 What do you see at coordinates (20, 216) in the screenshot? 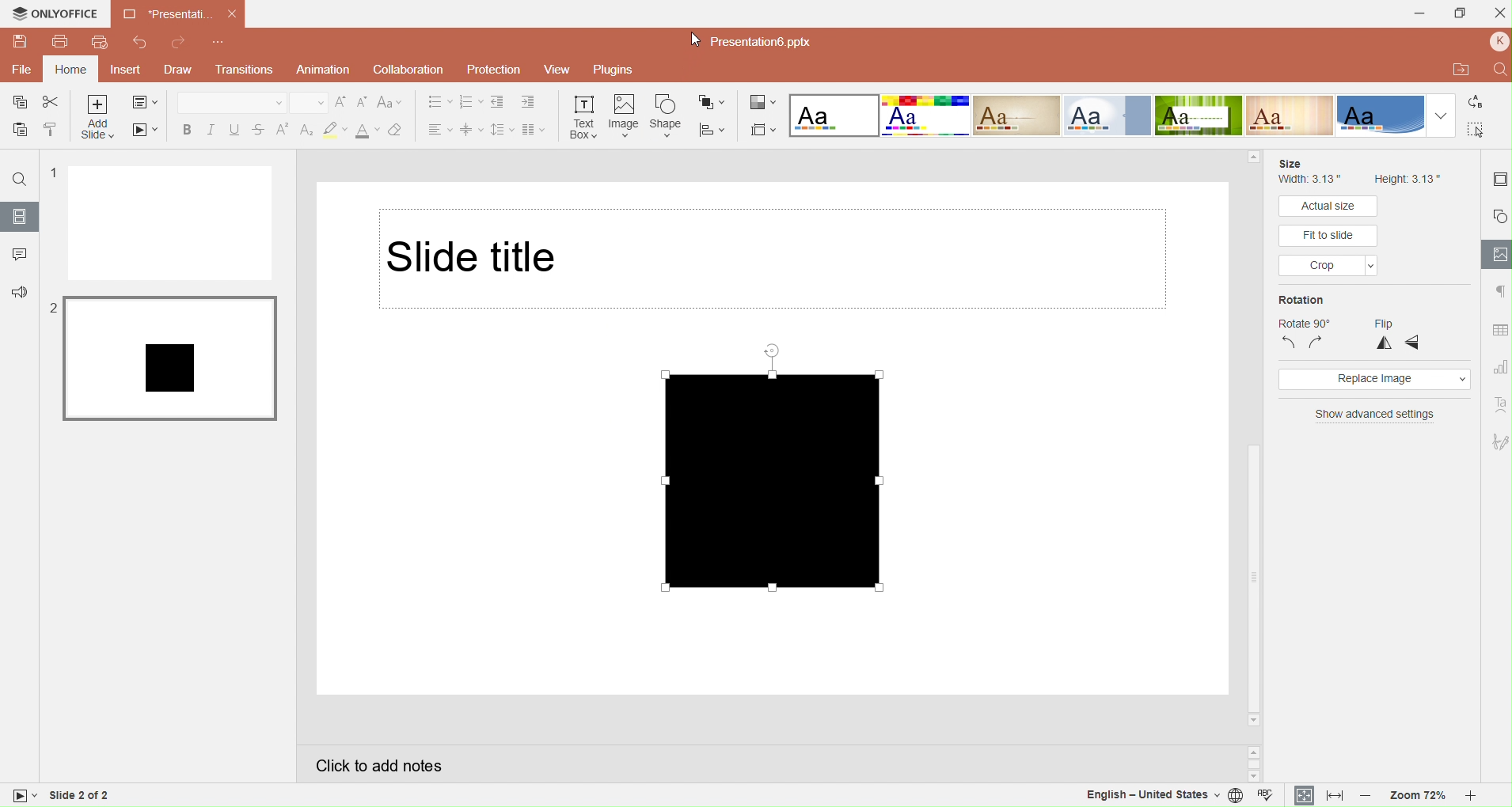
I see `Slides` at bounding box center [20, 216].